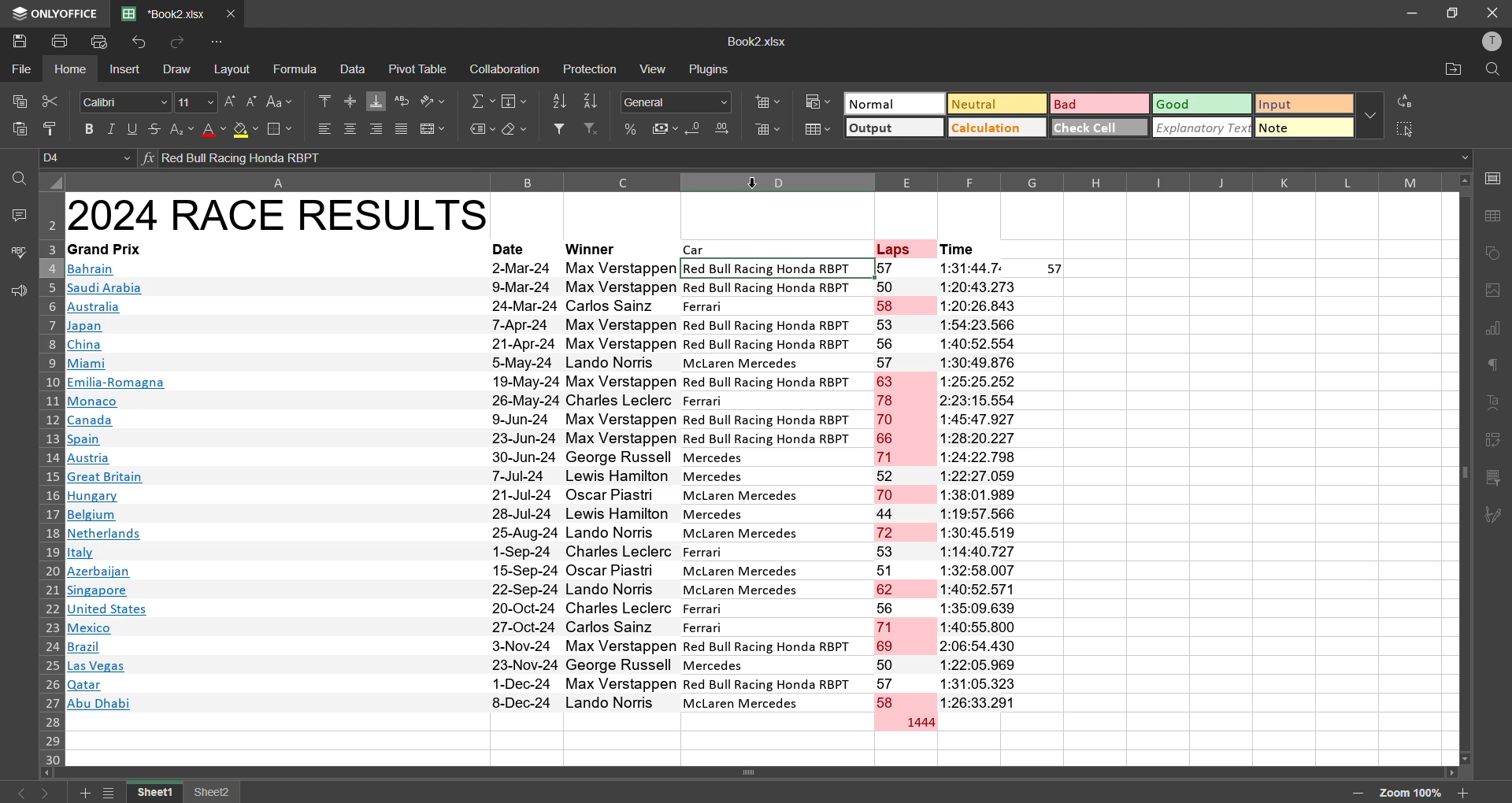  What do you see at coordinates (993, 103) in the screenshot?
I see `neutral` at bounding box center [993, 103].